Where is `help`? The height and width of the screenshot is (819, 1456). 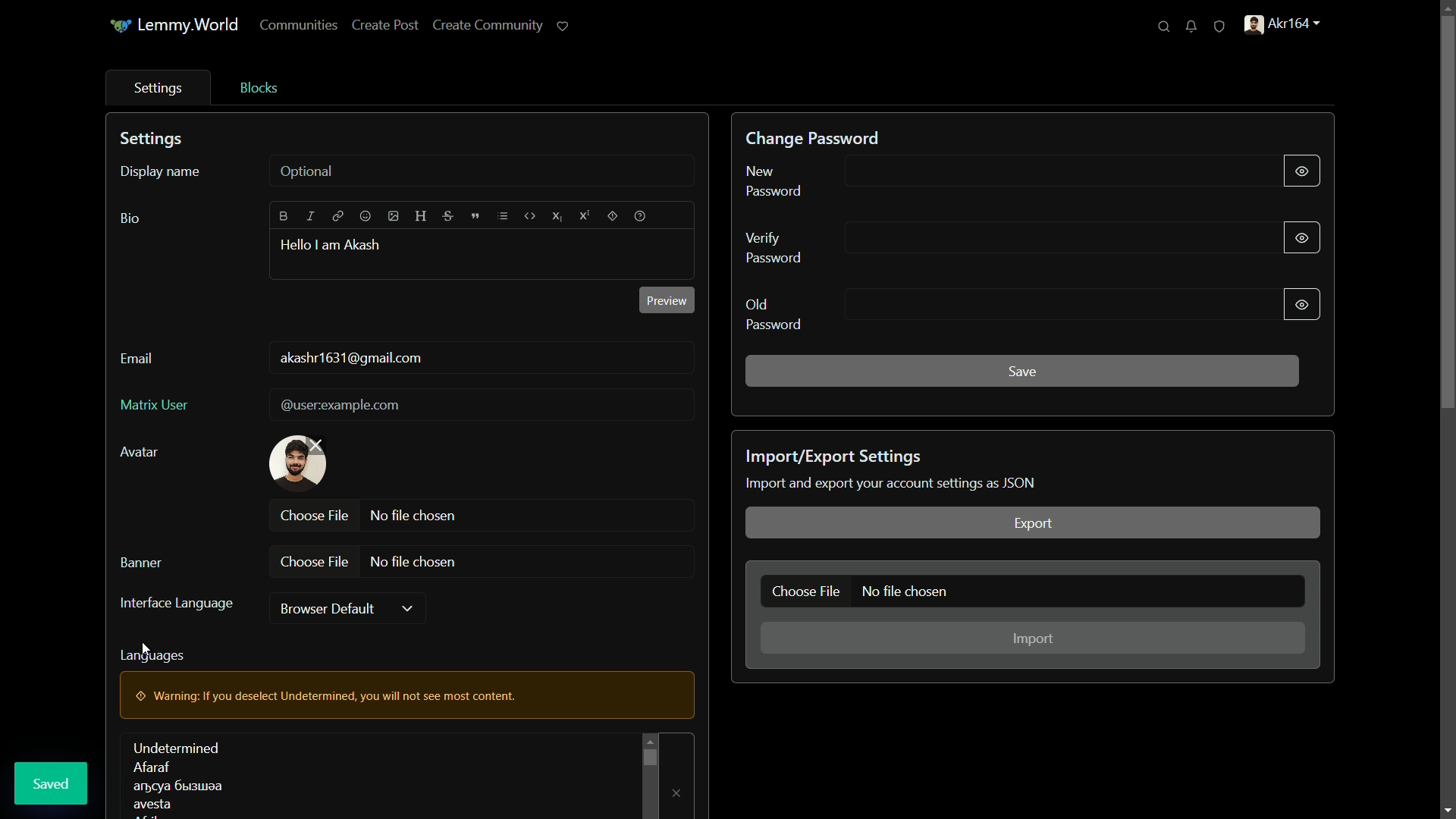 help is located at coordinates (640, 217).